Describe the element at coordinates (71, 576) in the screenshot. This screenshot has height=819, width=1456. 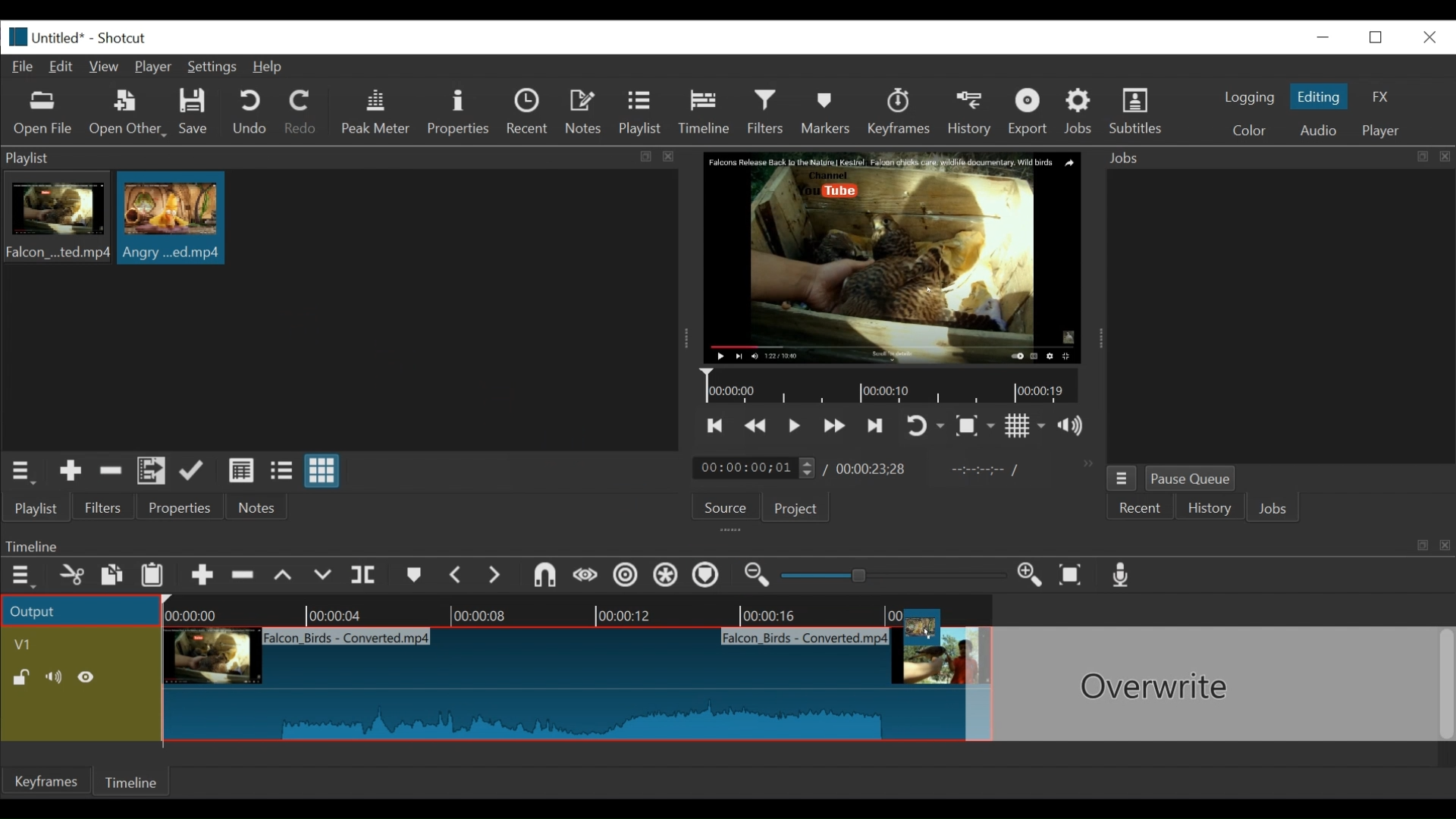
I see `cut` at that location.